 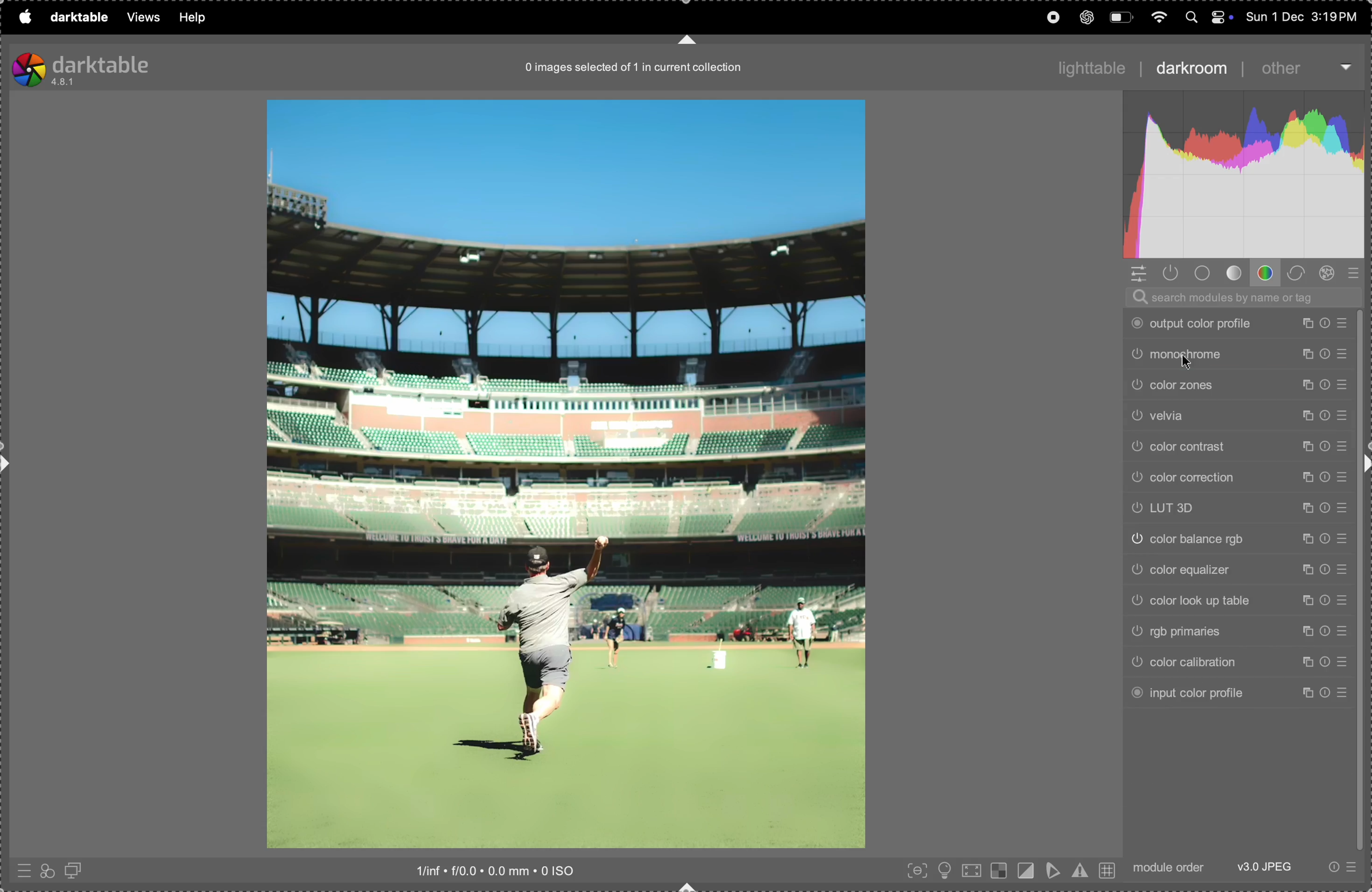 What do you see at coordinates (1238, 538) in the screenshot?
I see `color rgb` at bounding box center [1238, 538].